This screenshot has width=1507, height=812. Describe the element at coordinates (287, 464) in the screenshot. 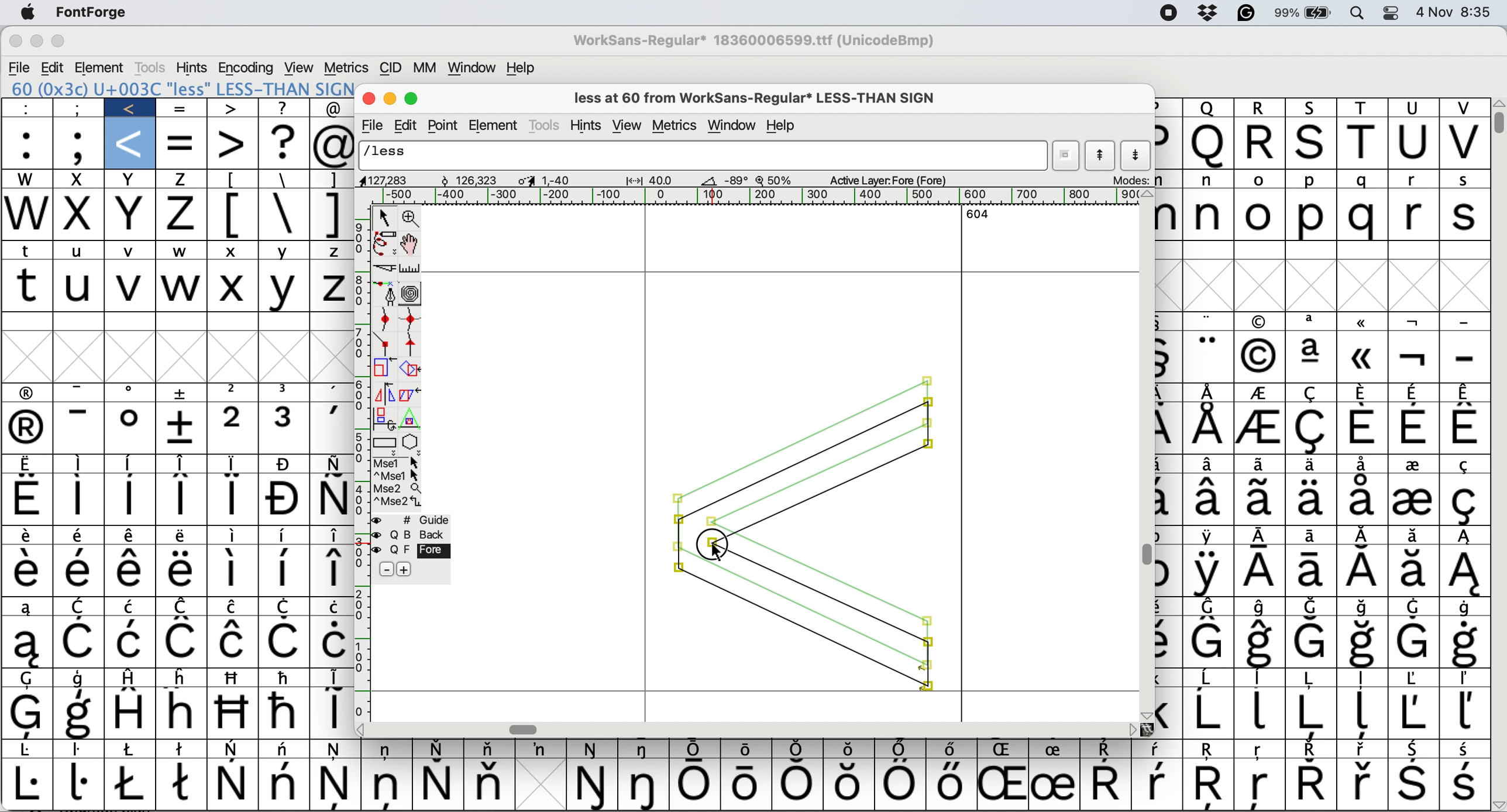

I see `Symbol` at that location.